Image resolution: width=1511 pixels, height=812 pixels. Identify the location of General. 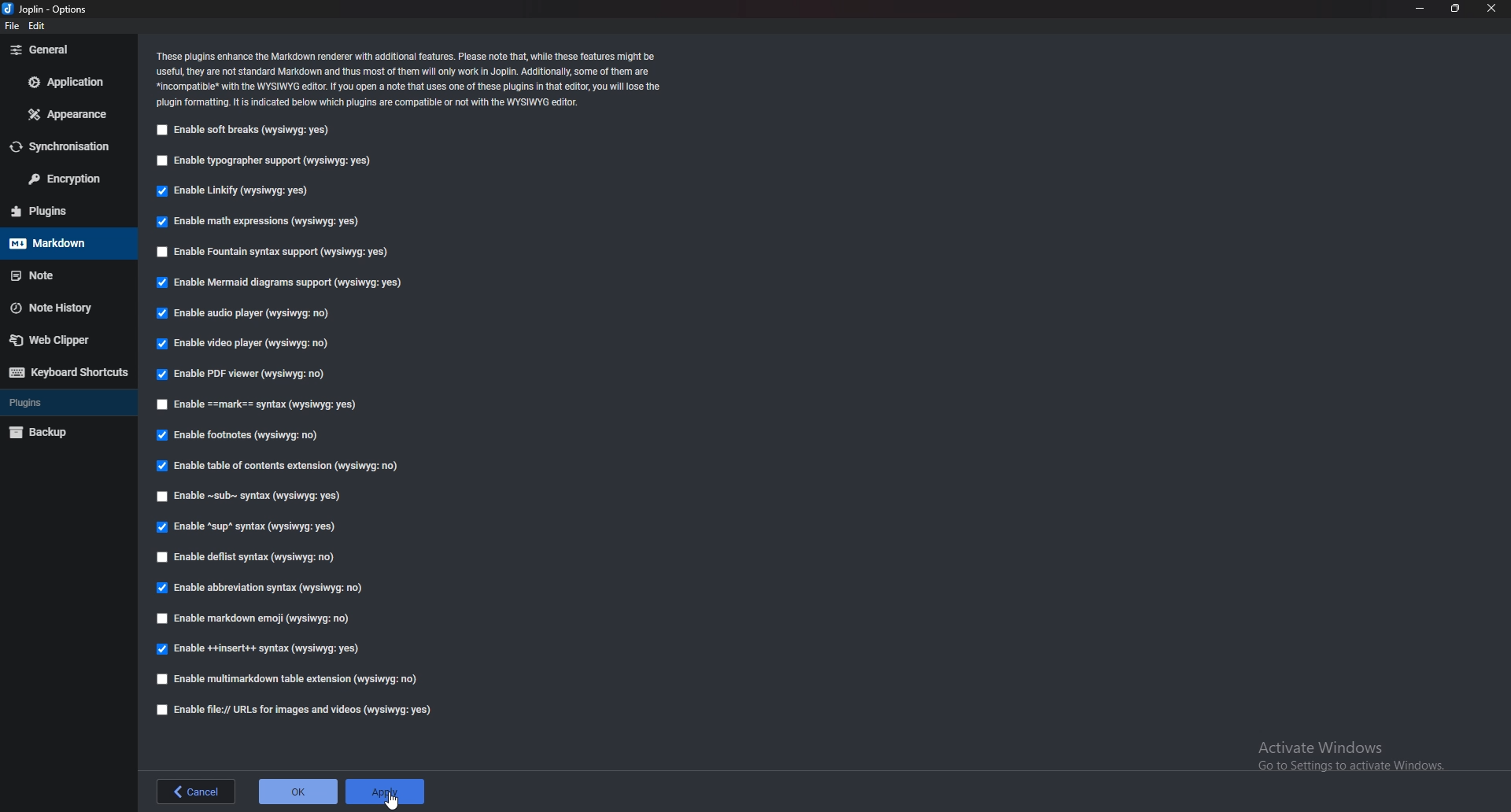
(68, 50).